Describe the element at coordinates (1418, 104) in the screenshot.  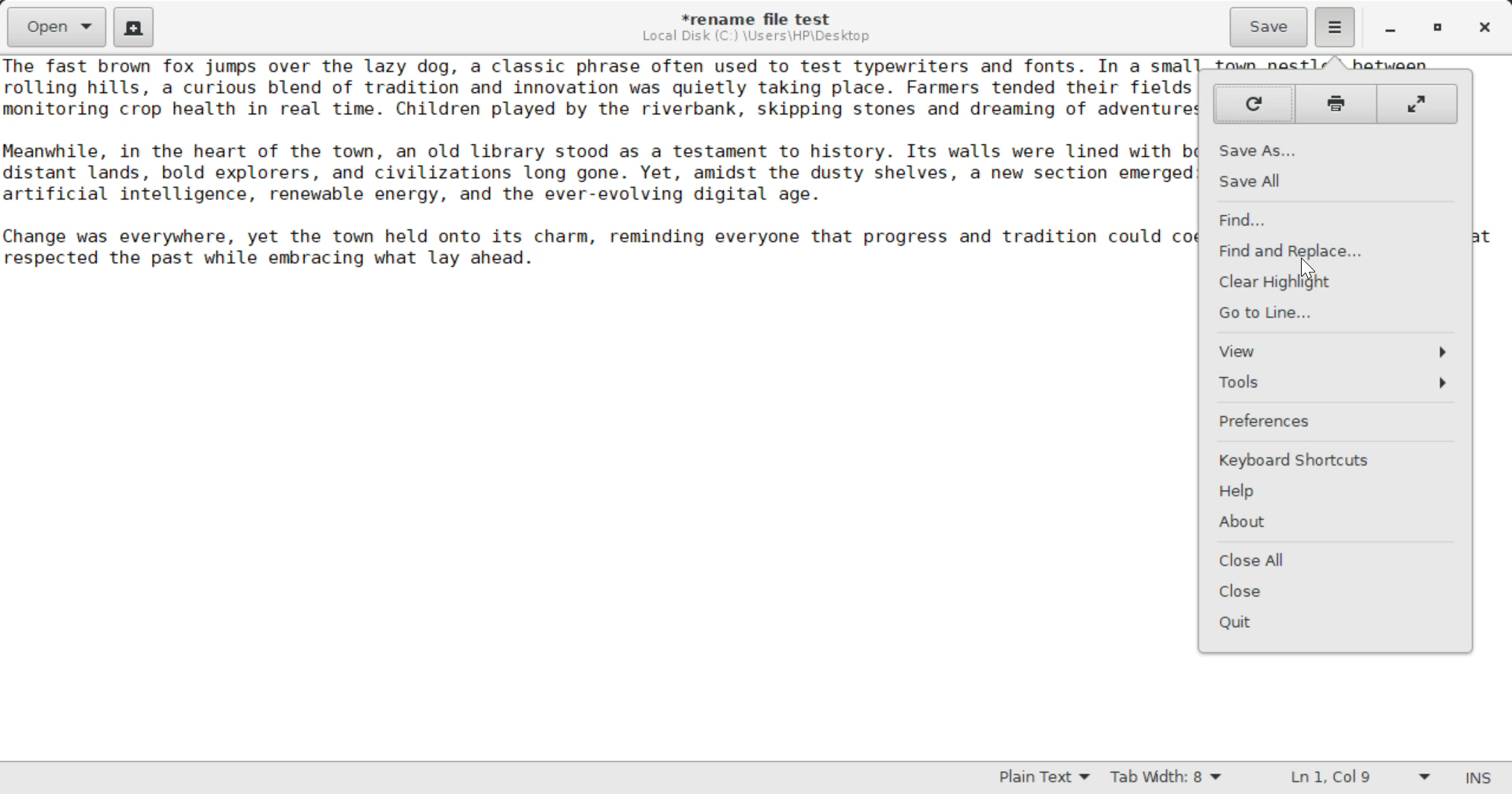
I see `Full Screen Mode` at that location.